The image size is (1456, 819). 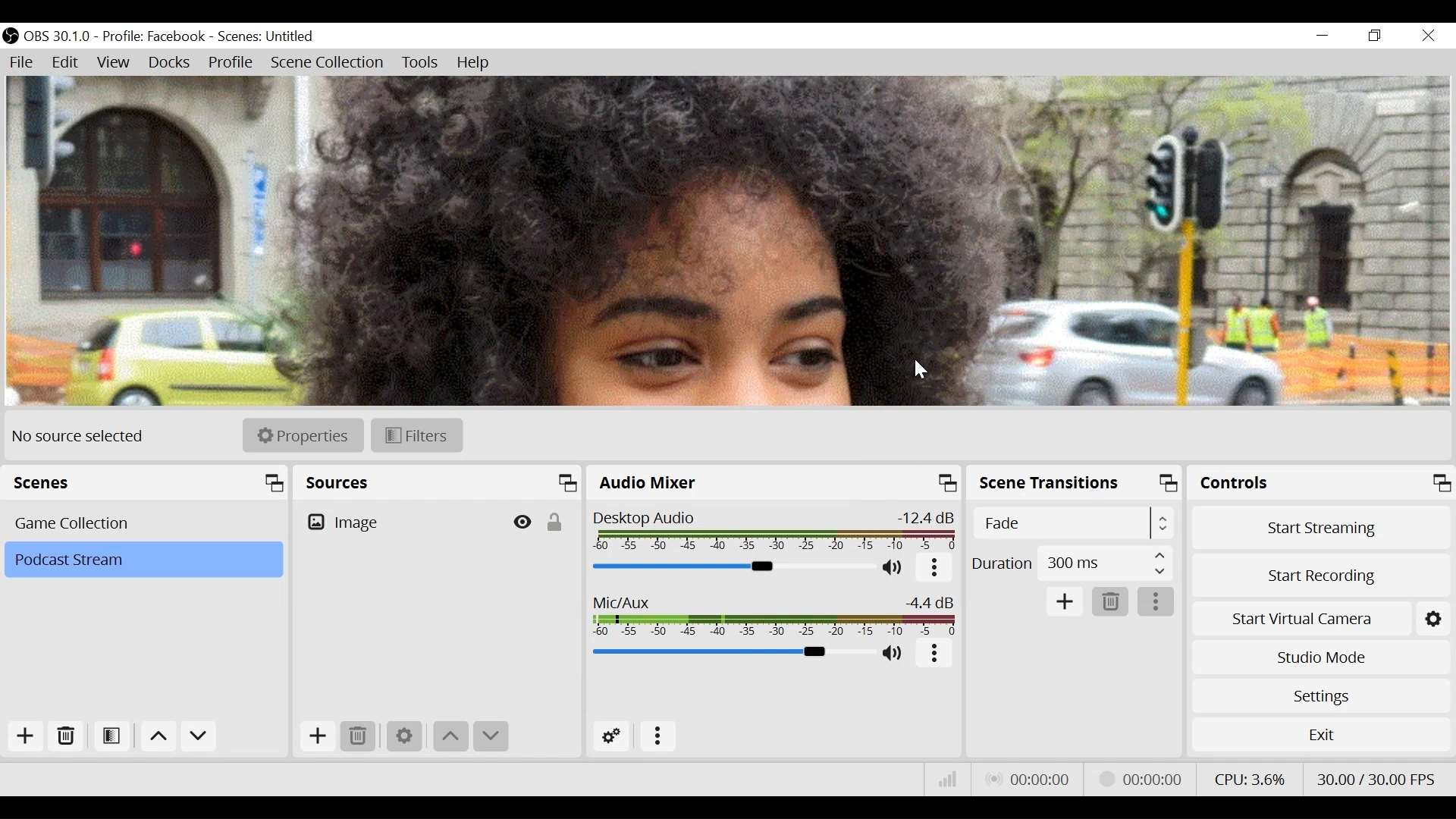 I want to click on Scene Collection, so click(x=330, y=63).